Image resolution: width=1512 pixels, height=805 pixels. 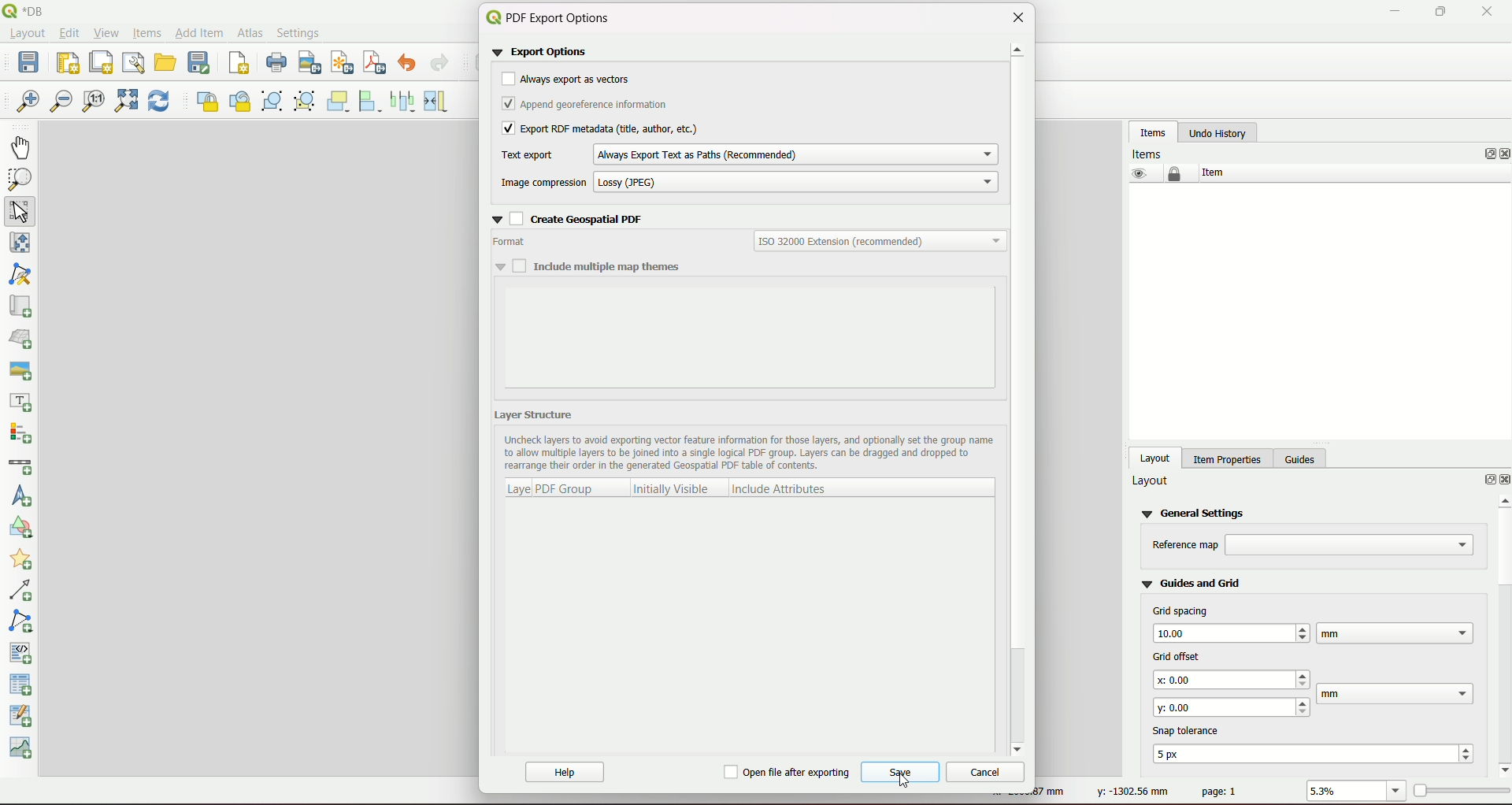 What do you see at coordinates (440, 64) in the screenshot?
I see `redo` at bounding box center [440, 64].